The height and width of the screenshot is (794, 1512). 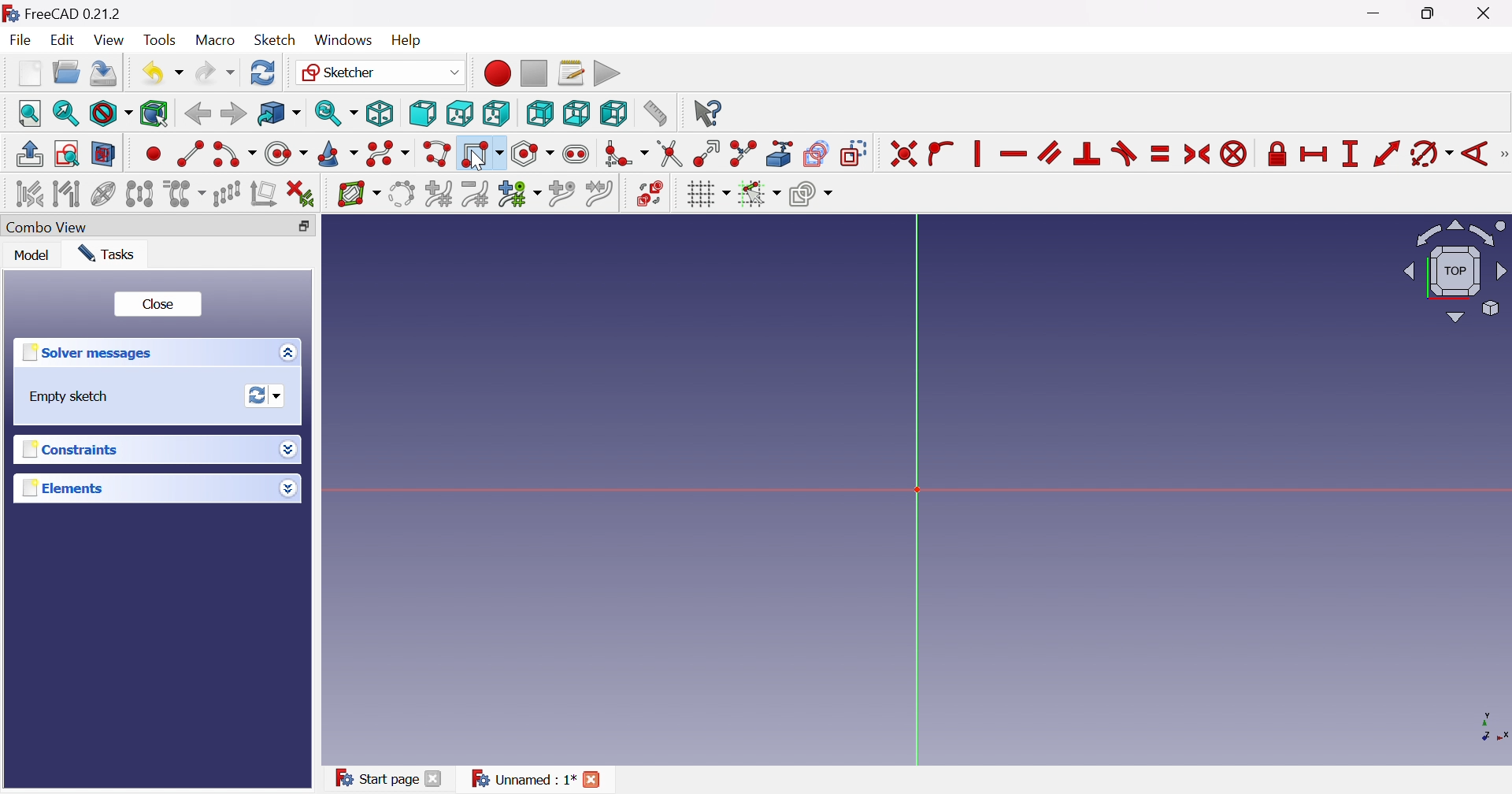 What do you see at coordinates (742, 154) in the screenshot?
I see `Split edge` at bounding box center [742, 154].